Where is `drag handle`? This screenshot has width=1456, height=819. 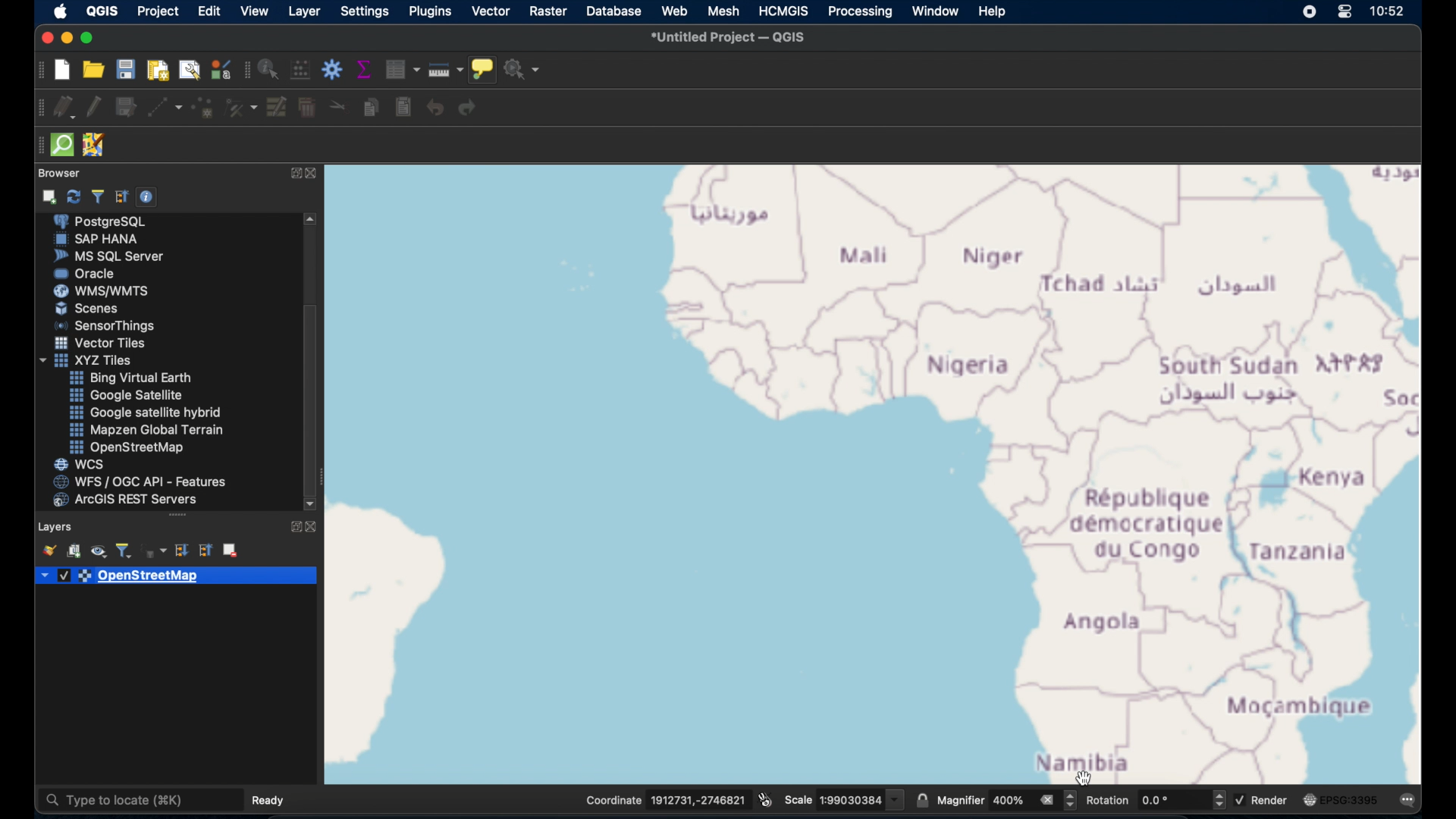 drag handle is located at coordinates (36, 146).